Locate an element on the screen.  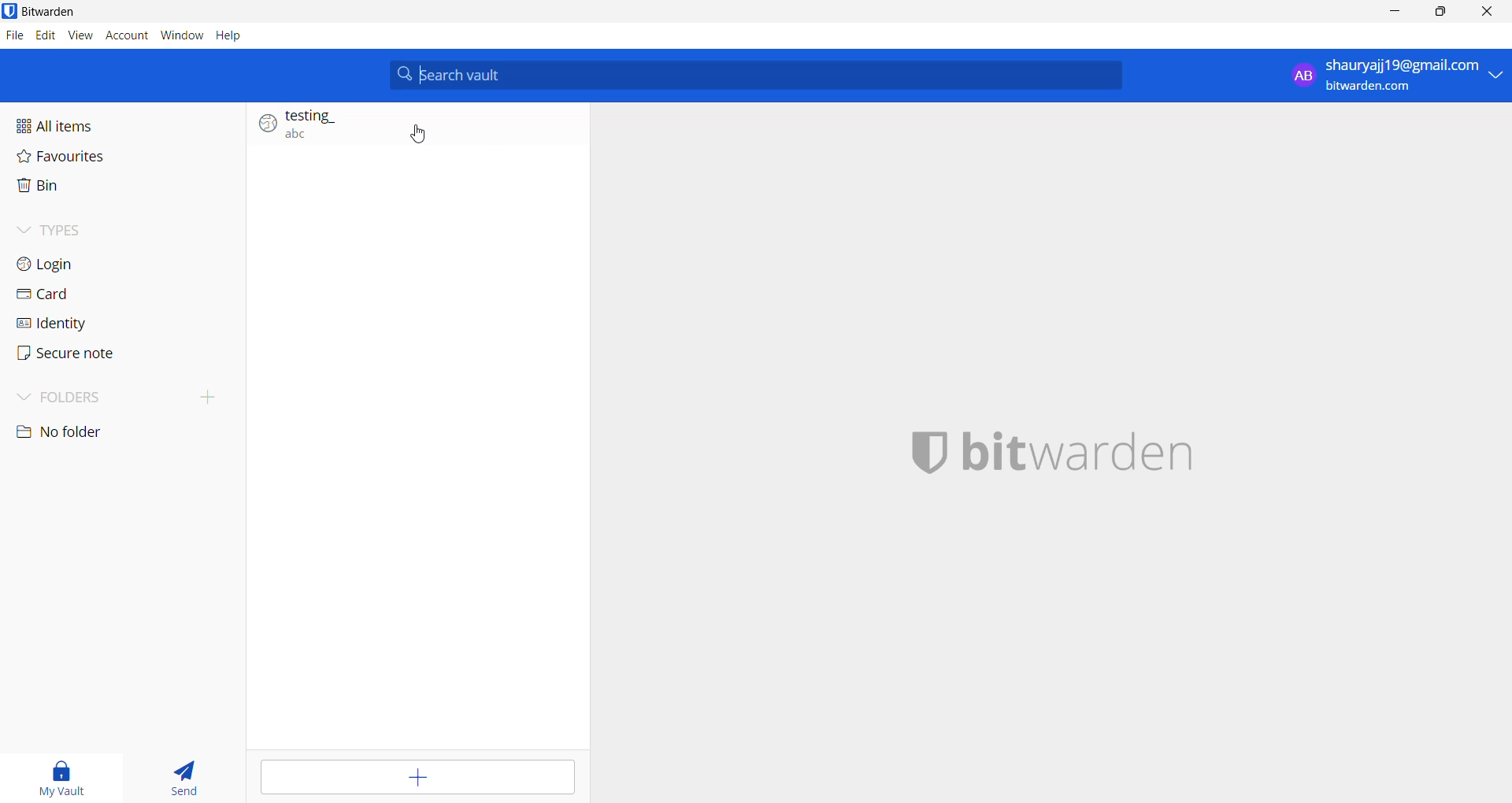
view is located at coordinates (80, 34).